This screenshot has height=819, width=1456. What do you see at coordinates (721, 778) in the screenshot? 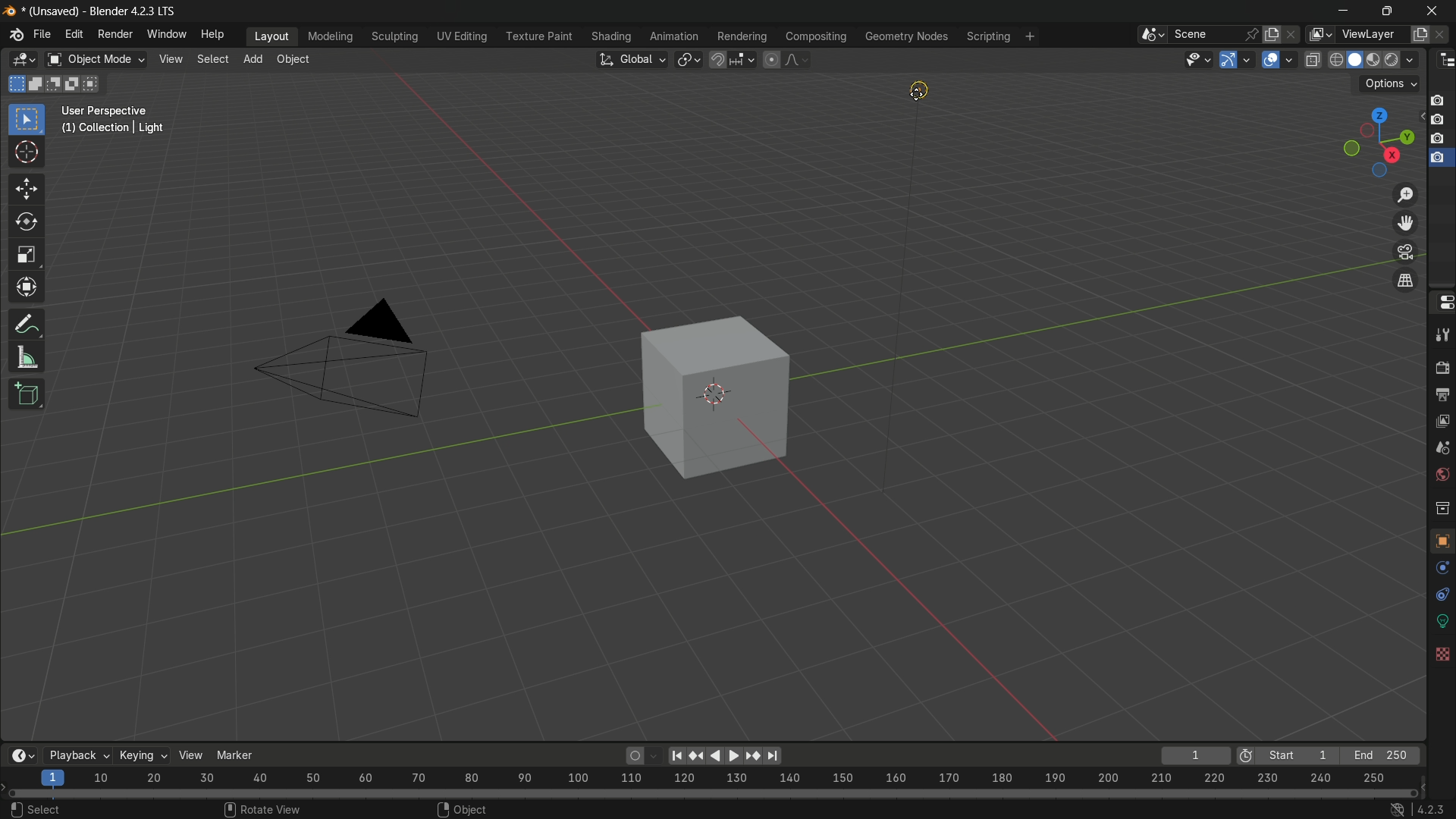
I see `scale` at bounding box center [721, 778].